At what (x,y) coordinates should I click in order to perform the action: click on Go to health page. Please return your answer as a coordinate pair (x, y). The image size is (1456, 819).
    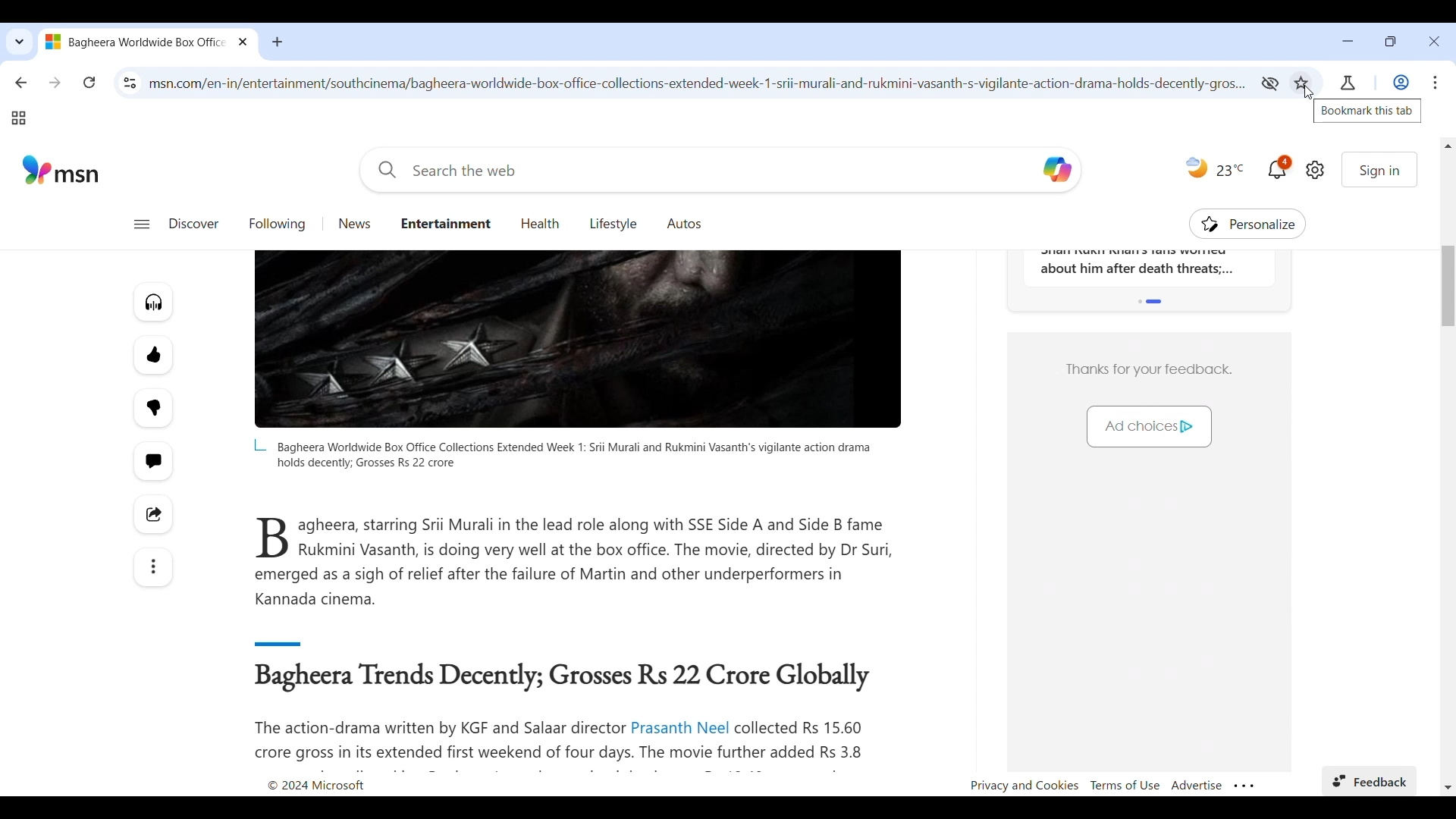
    Looking at the image, I should click on (541, 224).